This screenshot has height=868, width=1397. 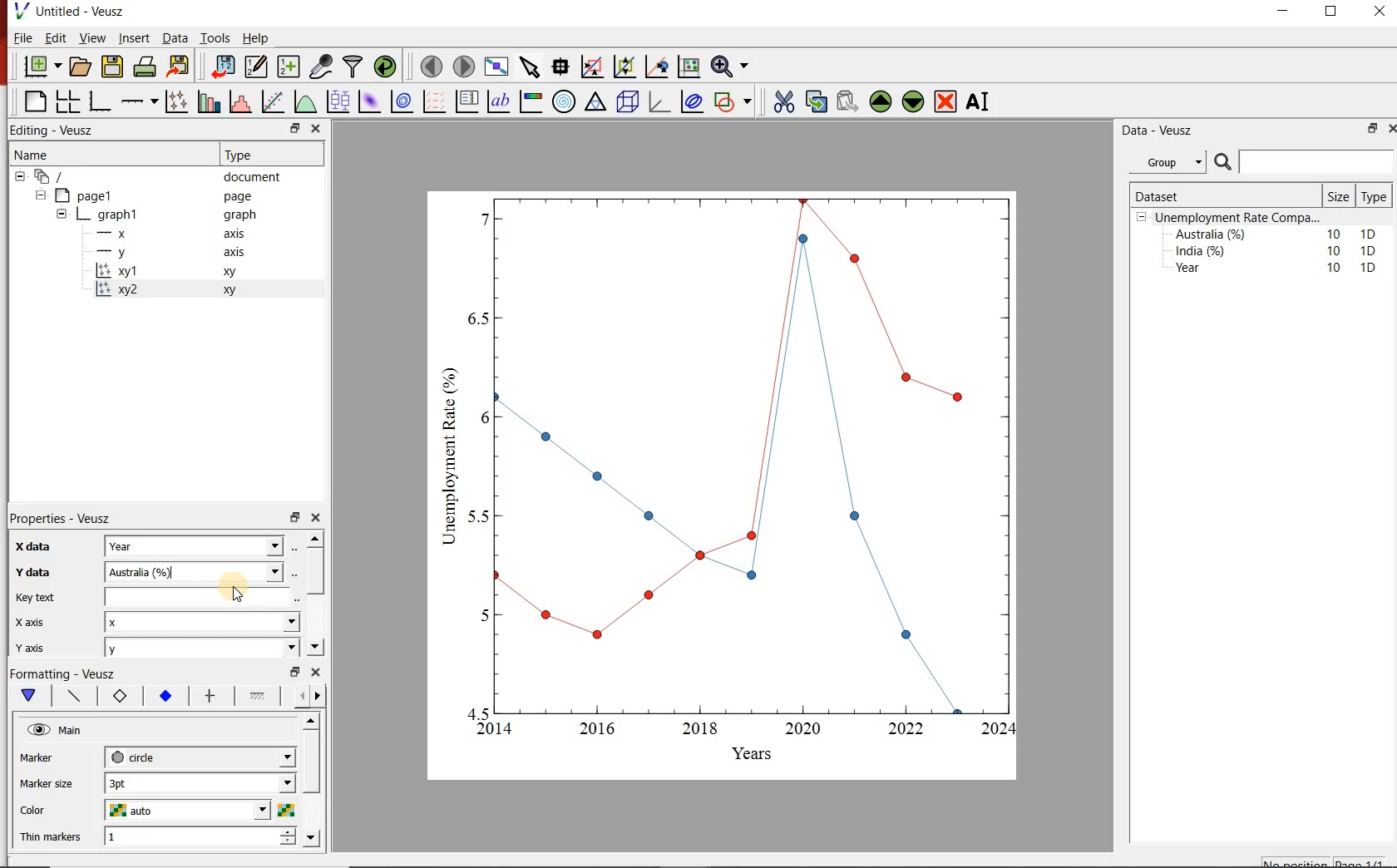 I want to click on graph chart, so click(x=723, y=486).